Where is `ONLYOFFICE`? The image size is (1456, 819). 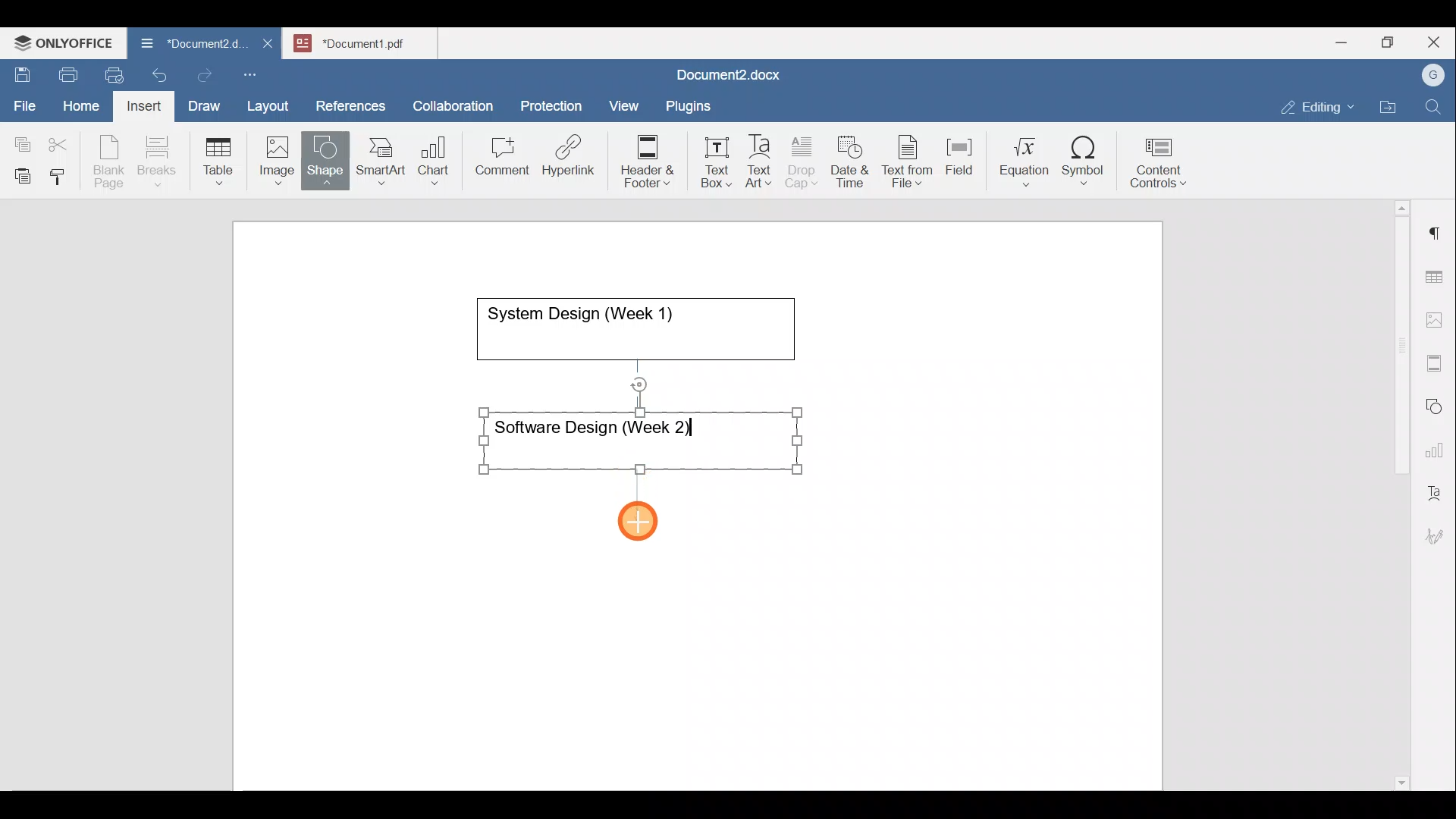
ONLYOFFICE is located at coordinates (64, 42).